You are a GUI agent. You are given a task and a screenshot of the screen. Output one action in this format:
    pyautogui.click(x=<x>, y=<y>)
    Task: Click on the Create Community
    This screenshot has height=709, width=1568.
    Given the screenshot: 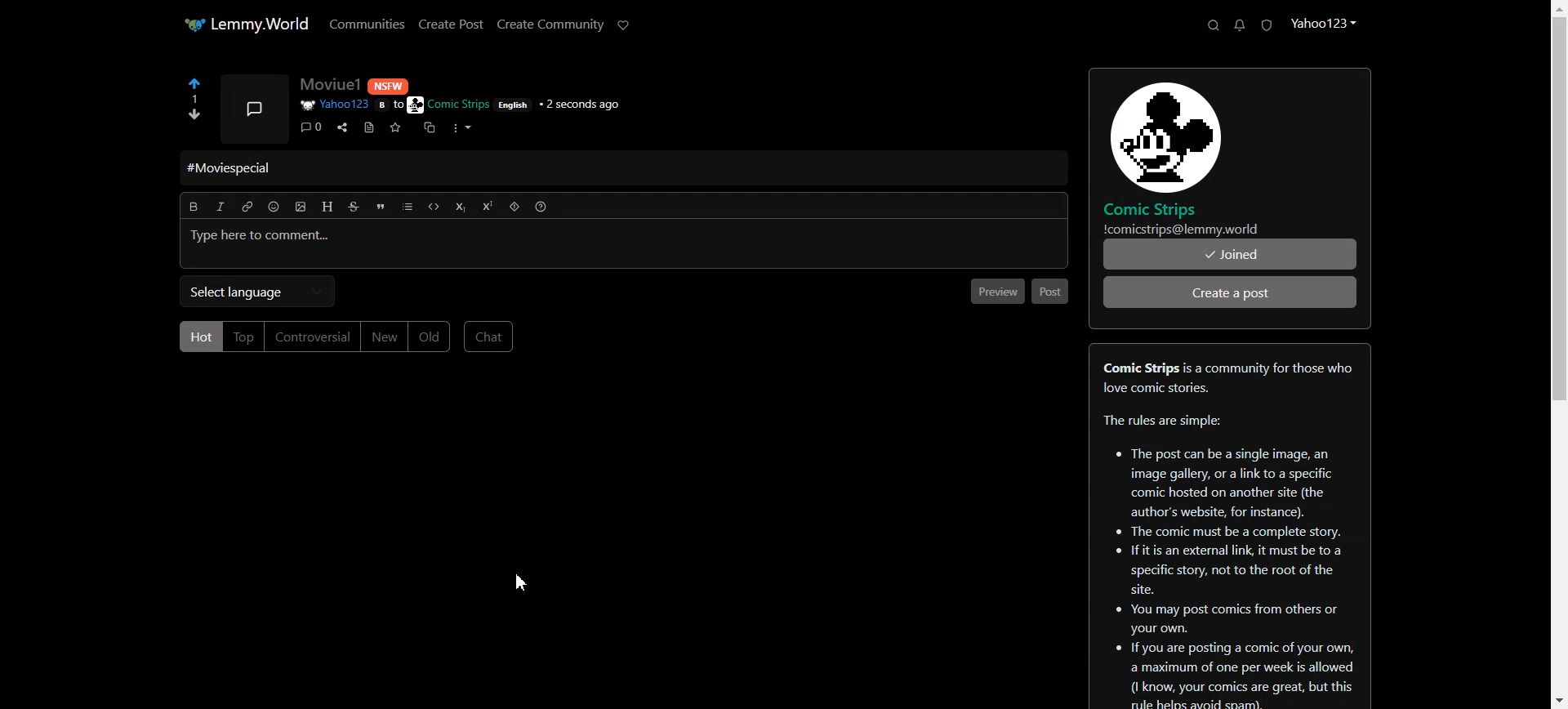 What is the action you would take?
    pyautogui.click(x=550, y=25)
    